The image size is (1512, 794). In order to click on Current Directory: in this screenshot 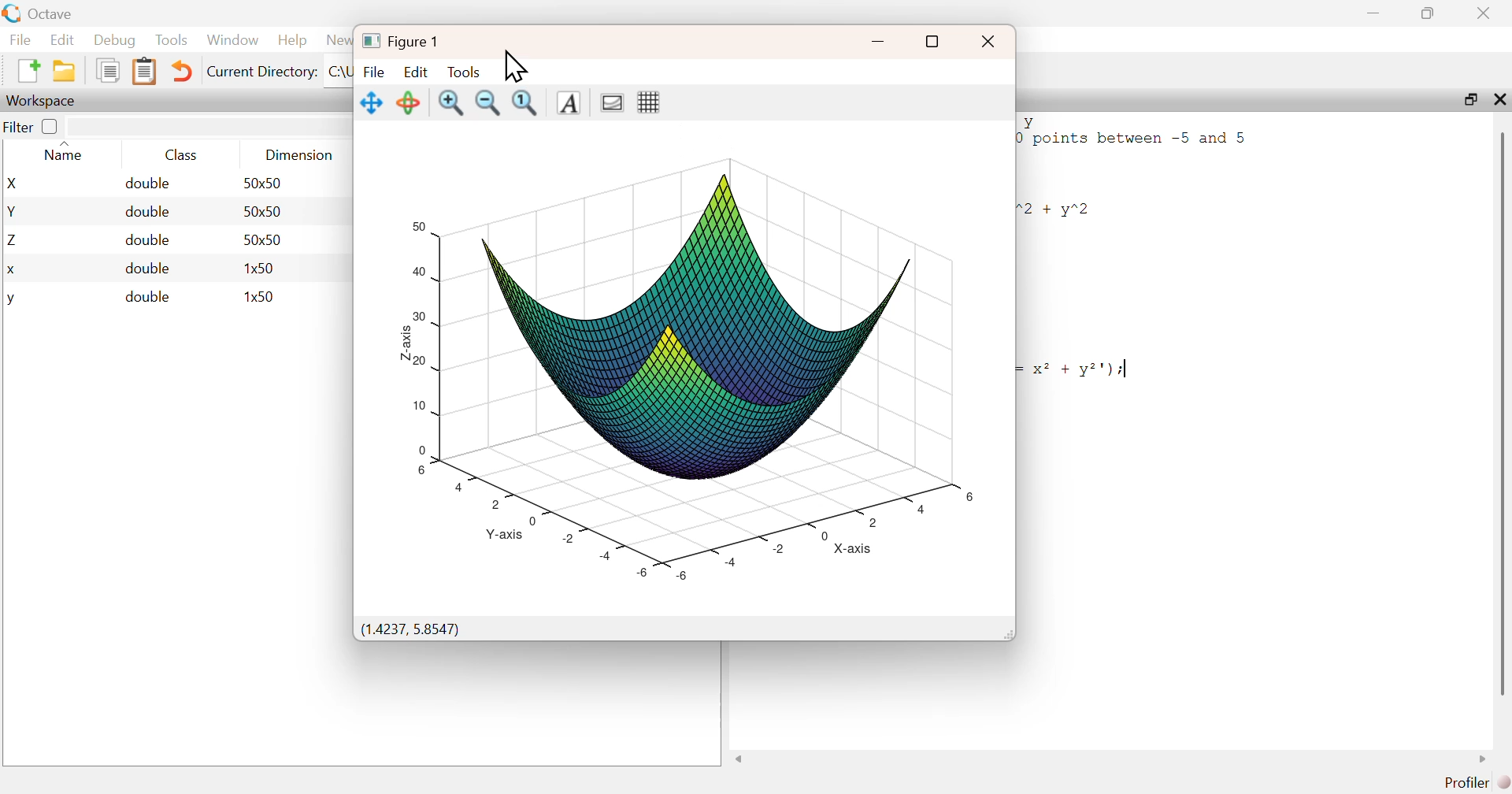, I will do `click(263, 72)`.